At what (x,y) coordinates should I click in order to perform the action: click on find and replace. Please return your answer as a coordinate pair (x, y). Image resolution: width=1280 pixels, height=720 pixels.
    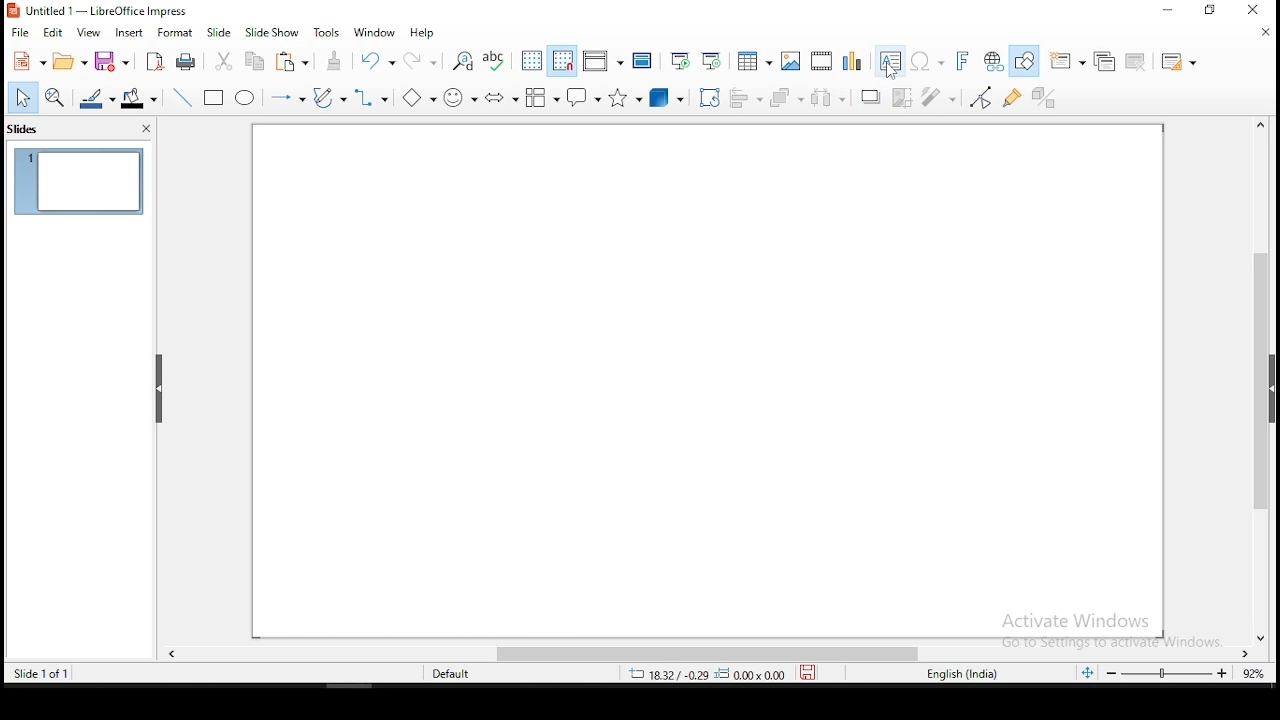
    Looking at the image, I should click on (462, 61).